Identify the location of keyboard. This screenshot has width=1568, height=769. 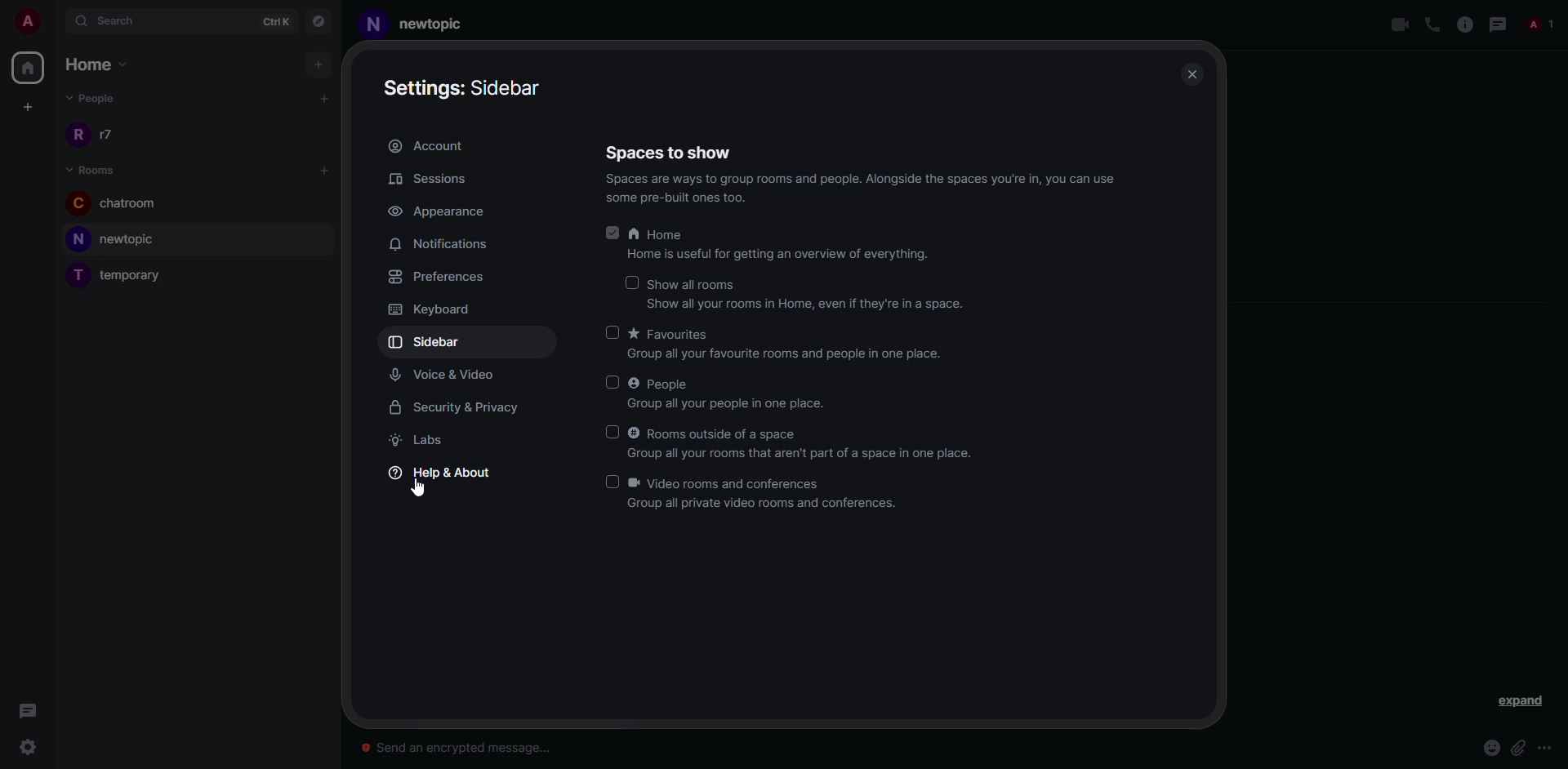
(434, 309).